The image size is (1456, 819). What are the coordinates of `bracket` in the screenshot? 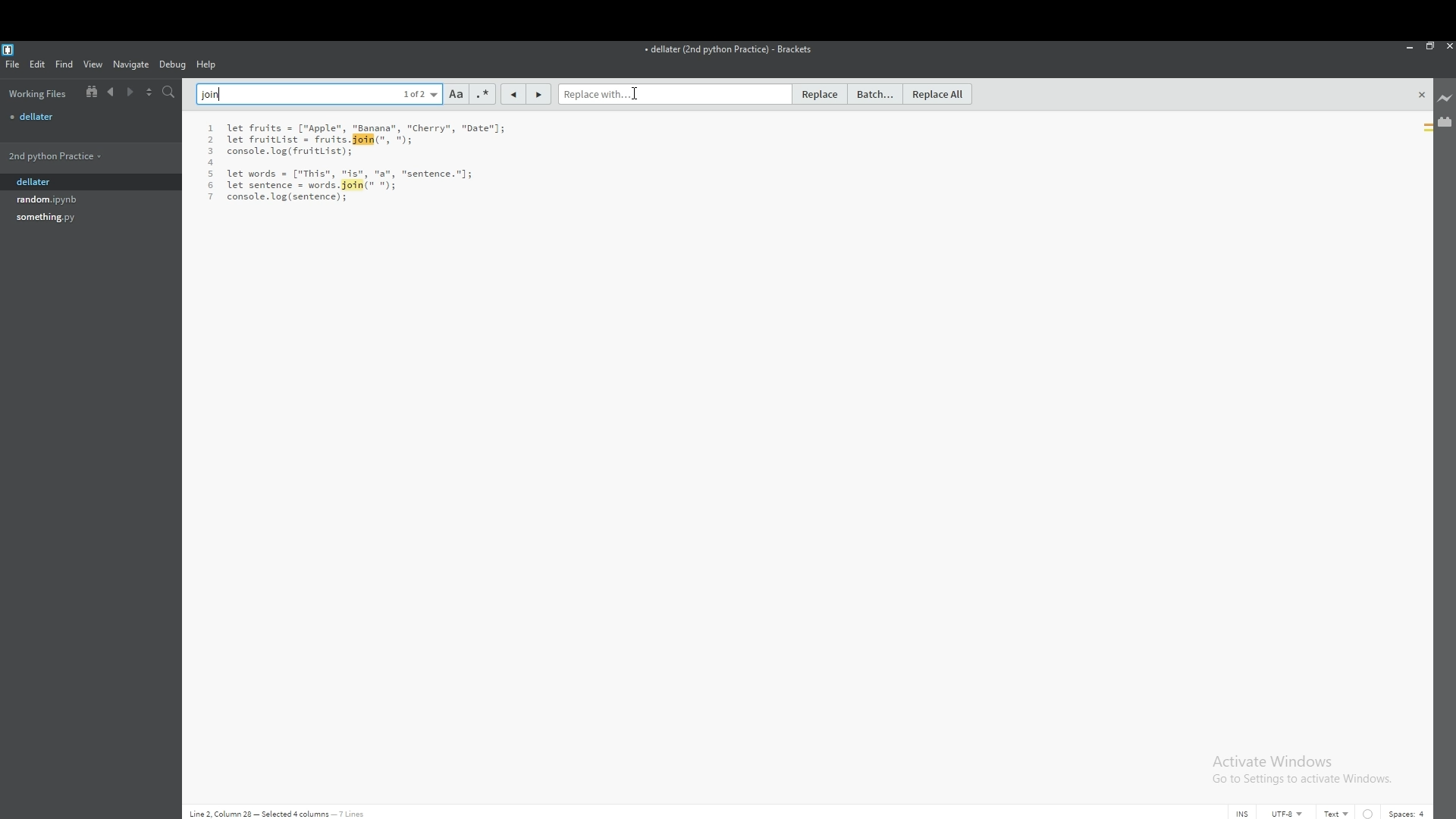 It's located at (11, 49).